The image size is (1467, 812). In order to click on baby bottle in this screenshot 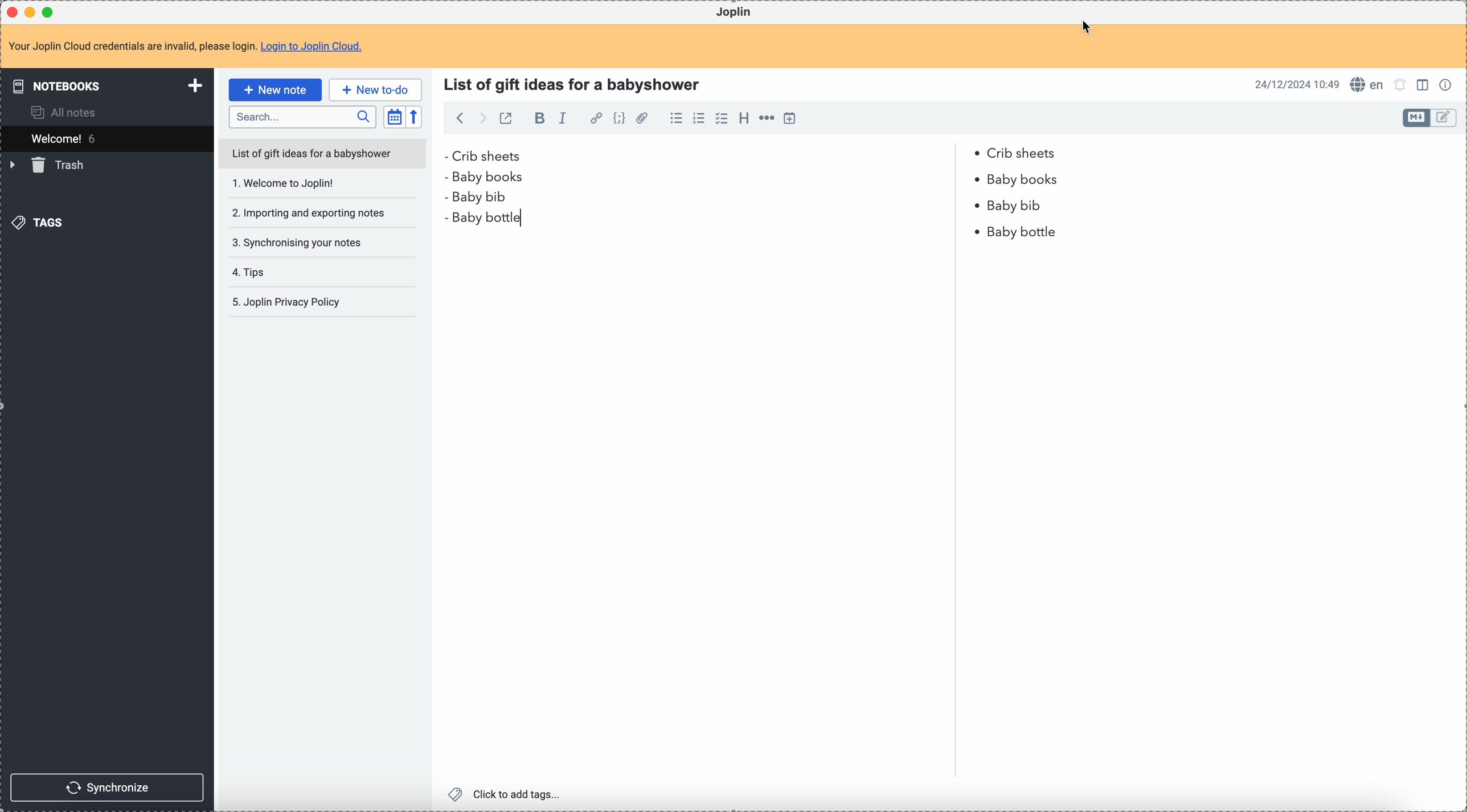, I will do `click(479, 222)`.